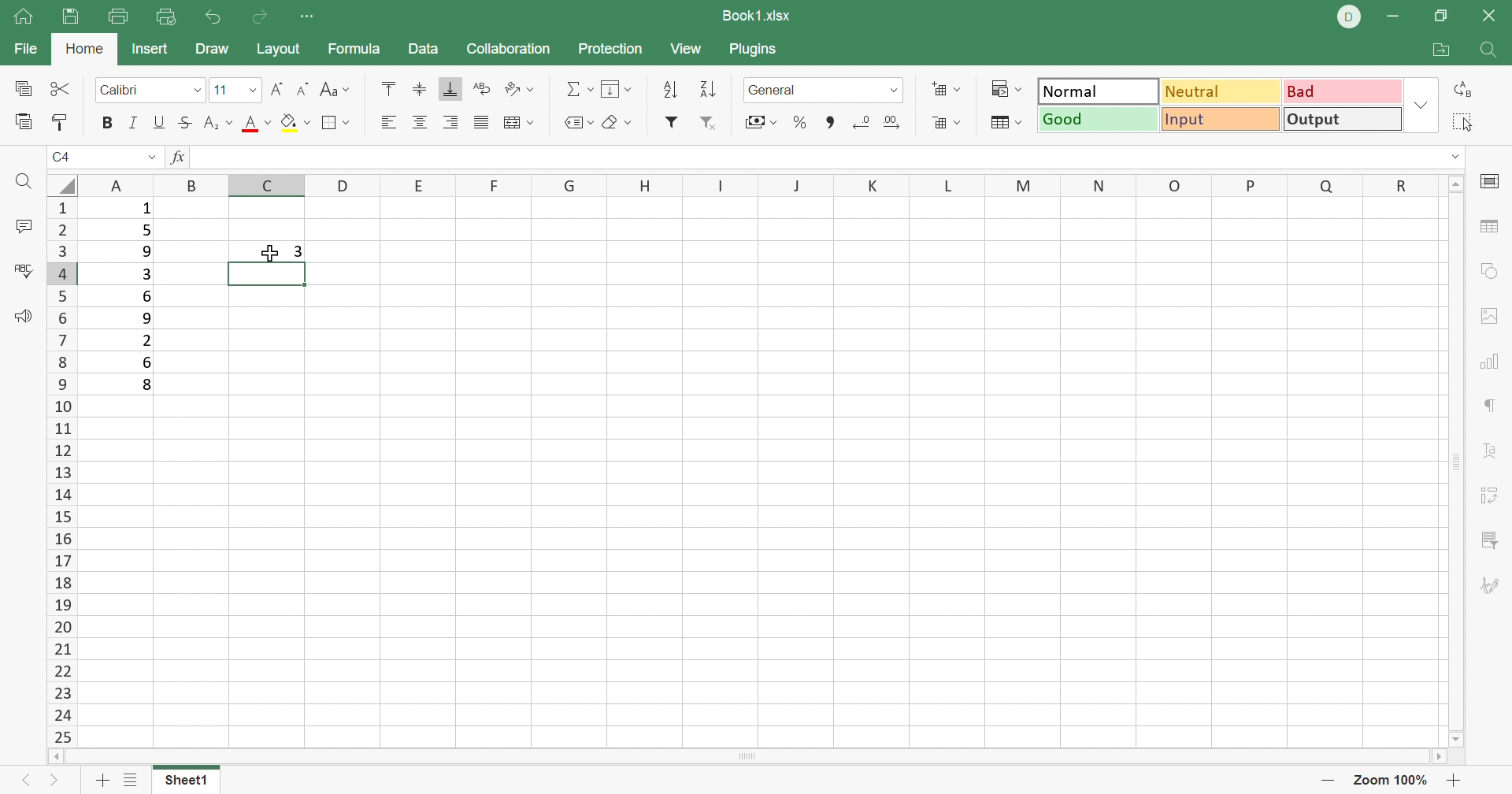 The image size is (1512, 794). What do you see at coordinates (1456, 462) in the screenshot?
I see `Scroll bar` at bounding box center [1456, 462].